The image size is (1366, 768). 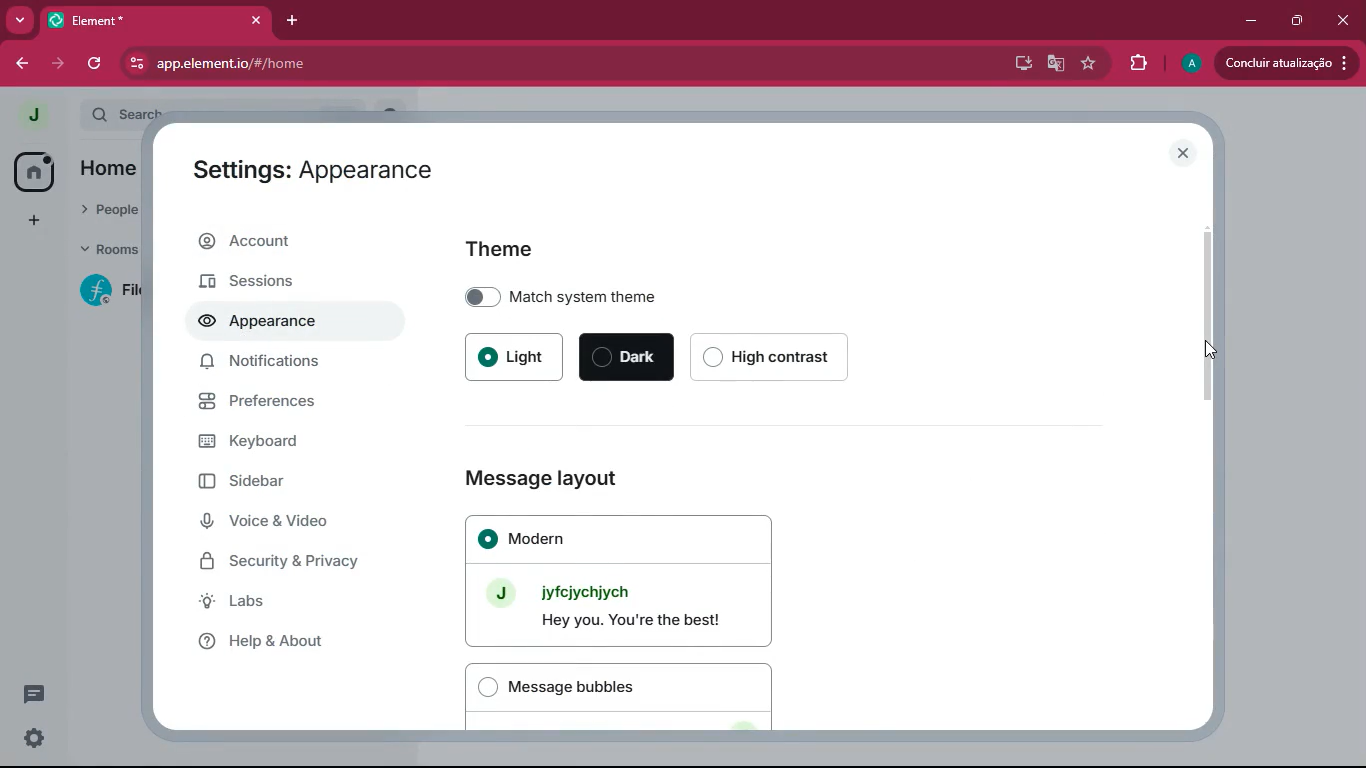 What do you see at coordinates (266, 283) in the screenshot?
I see `sessions` at bounding box center [266, 283].